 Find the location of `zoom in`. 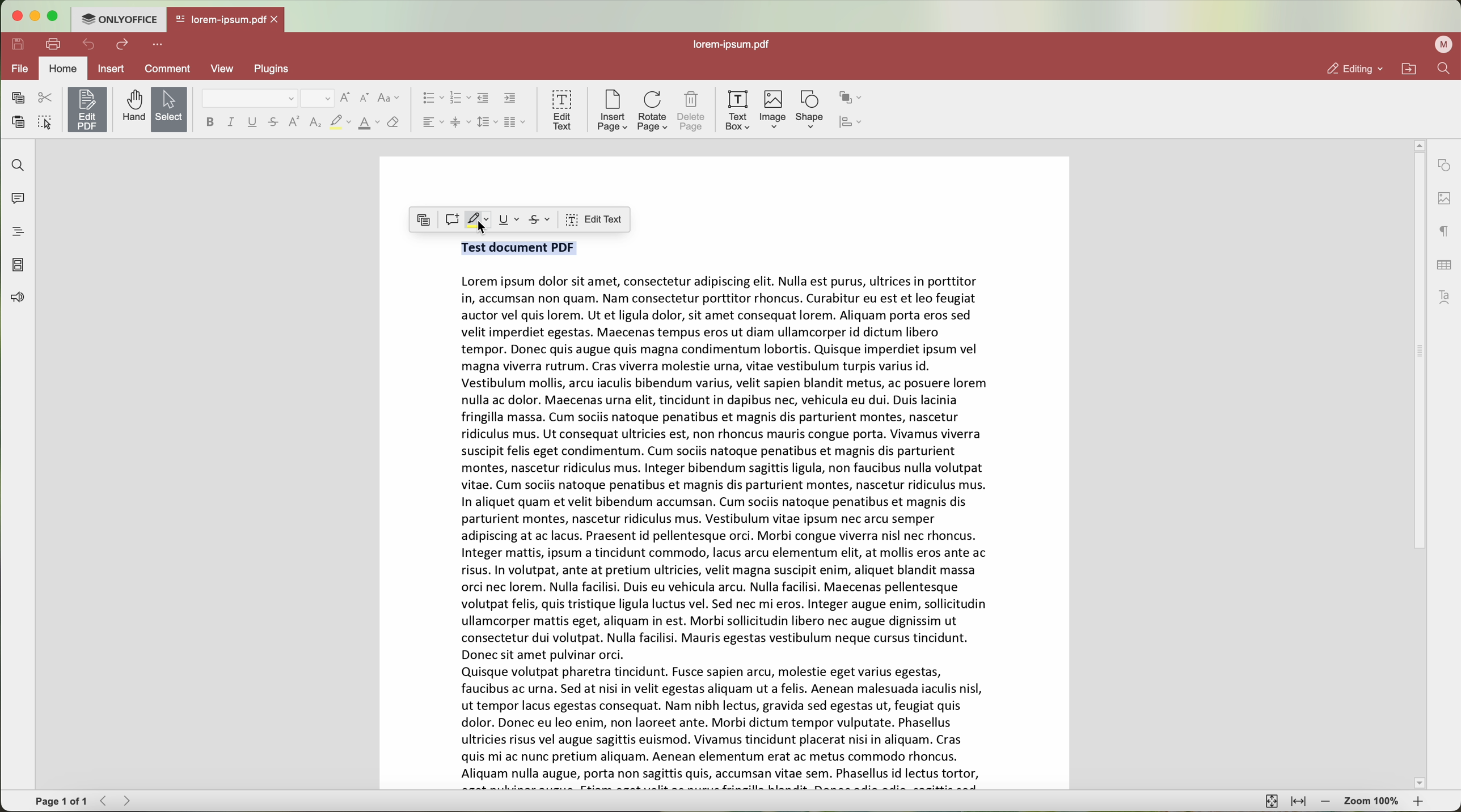

zoom in is located at coordinates (1418, 802).